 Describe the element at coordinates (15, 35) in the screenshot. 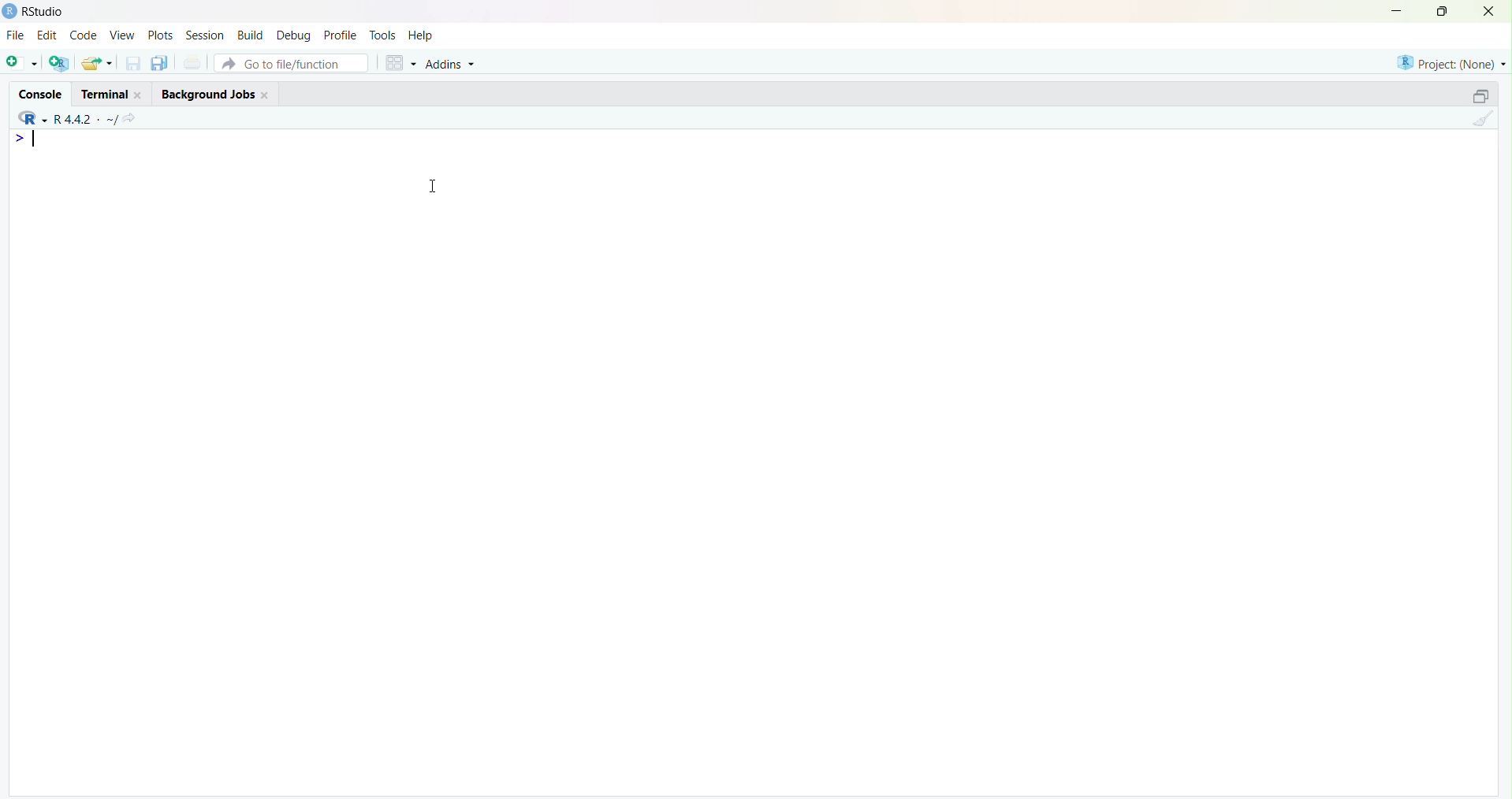

I see `File` at that location.